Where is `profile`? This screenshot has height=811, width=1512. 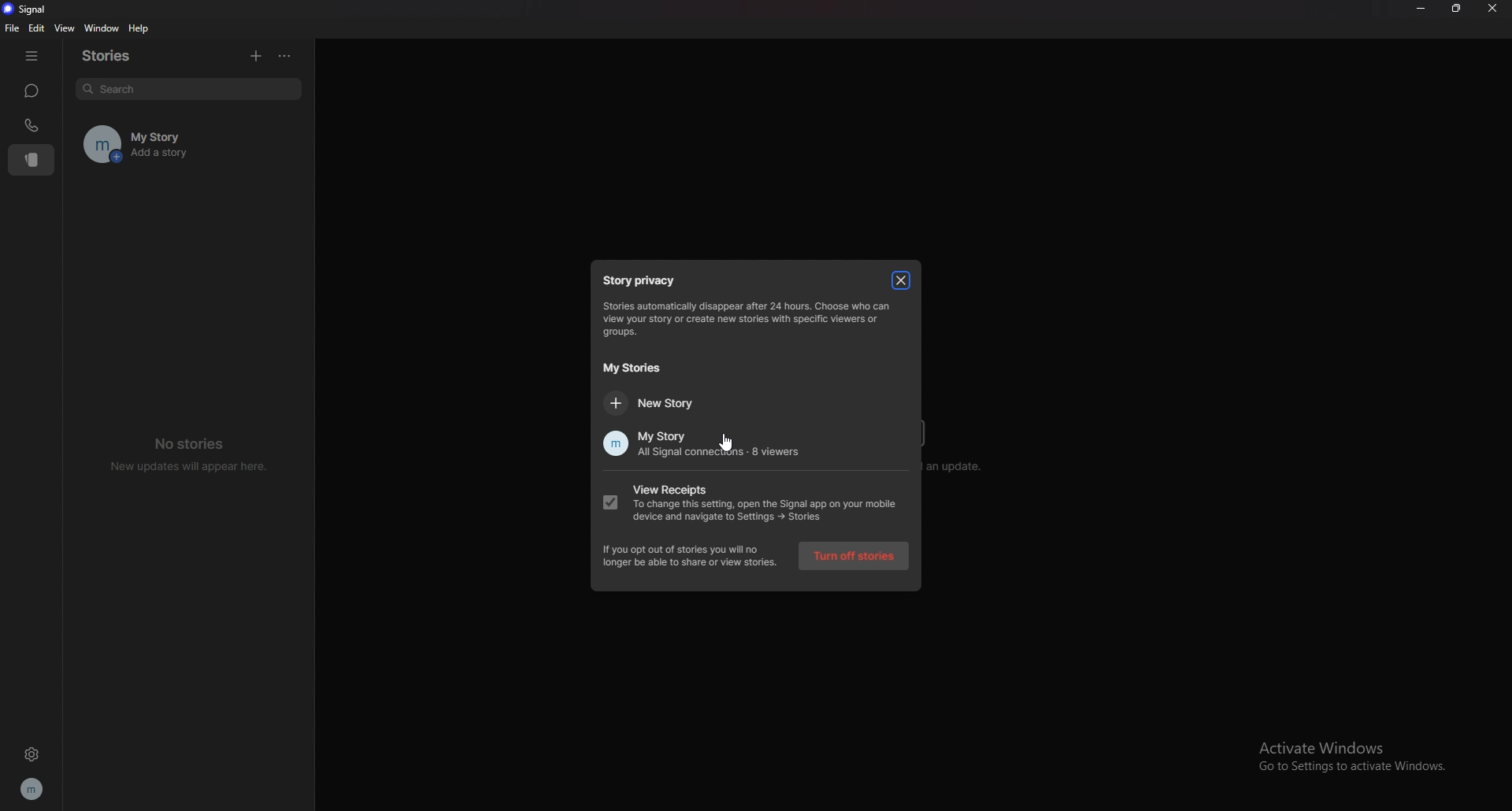
profile is located at coordinates (33, 787).